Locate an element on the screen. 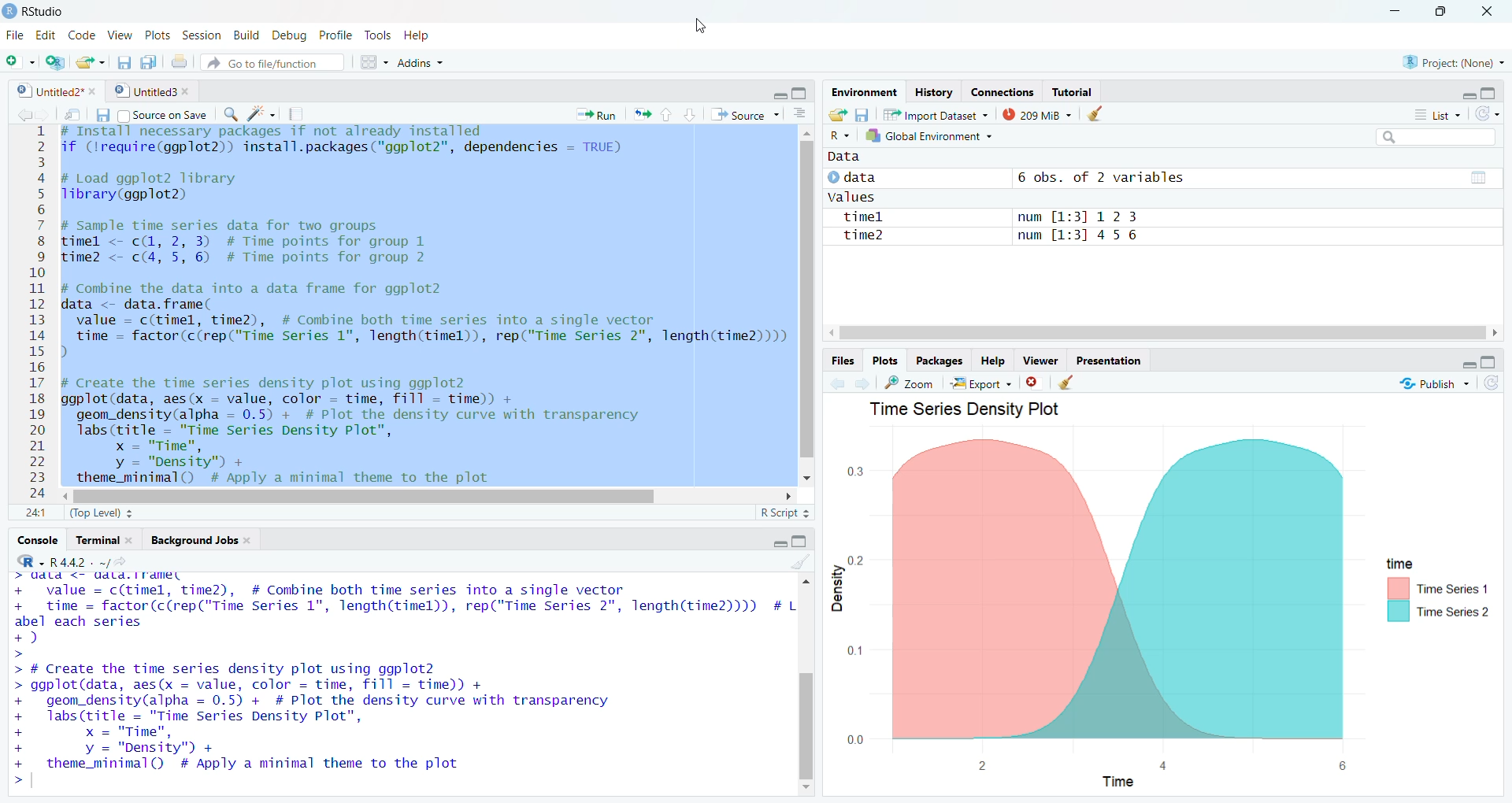  Document Outline is located at coordinates (799, 113).